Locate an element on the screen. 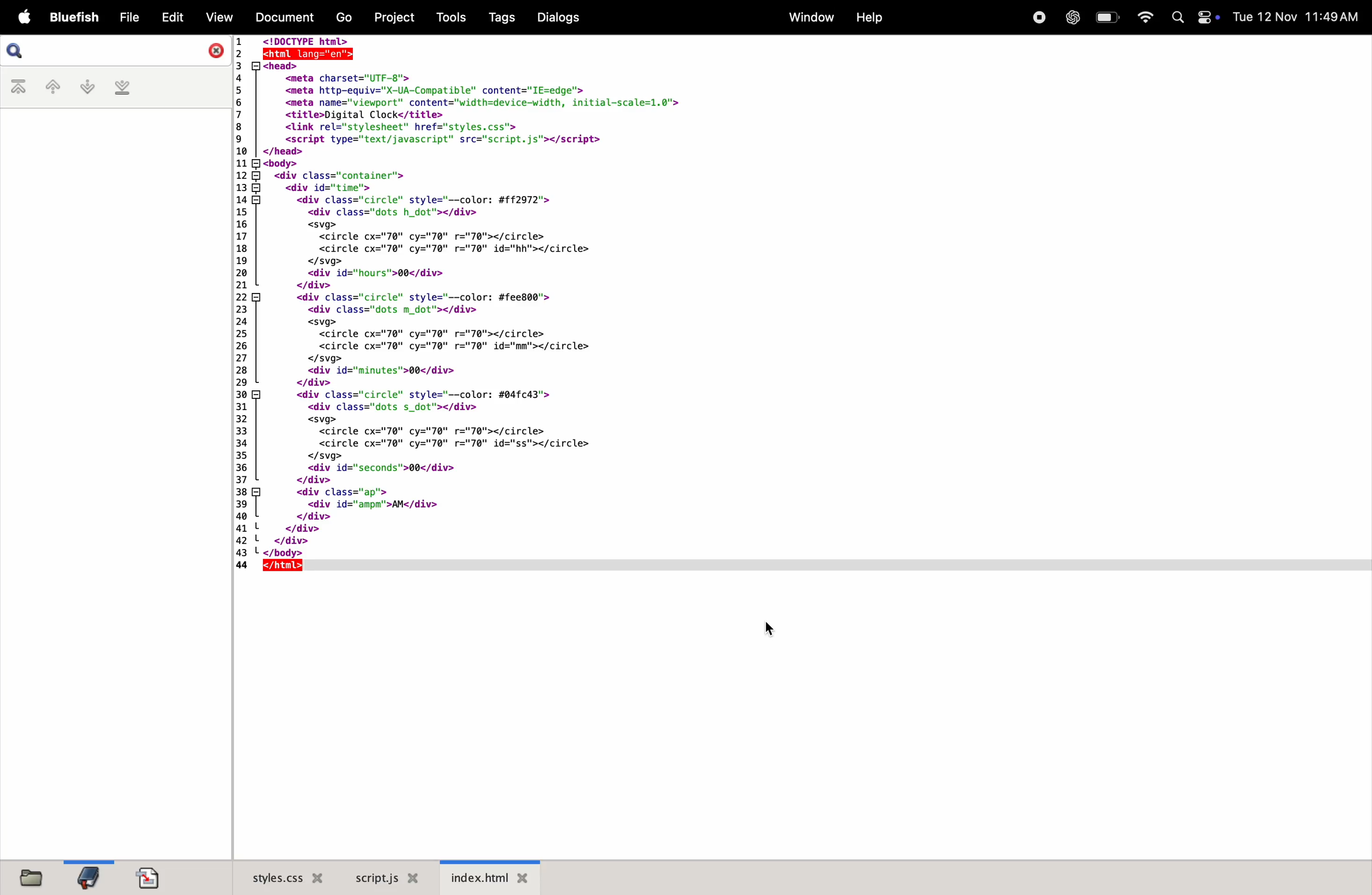  style.css is located at coordinates (281, 876).